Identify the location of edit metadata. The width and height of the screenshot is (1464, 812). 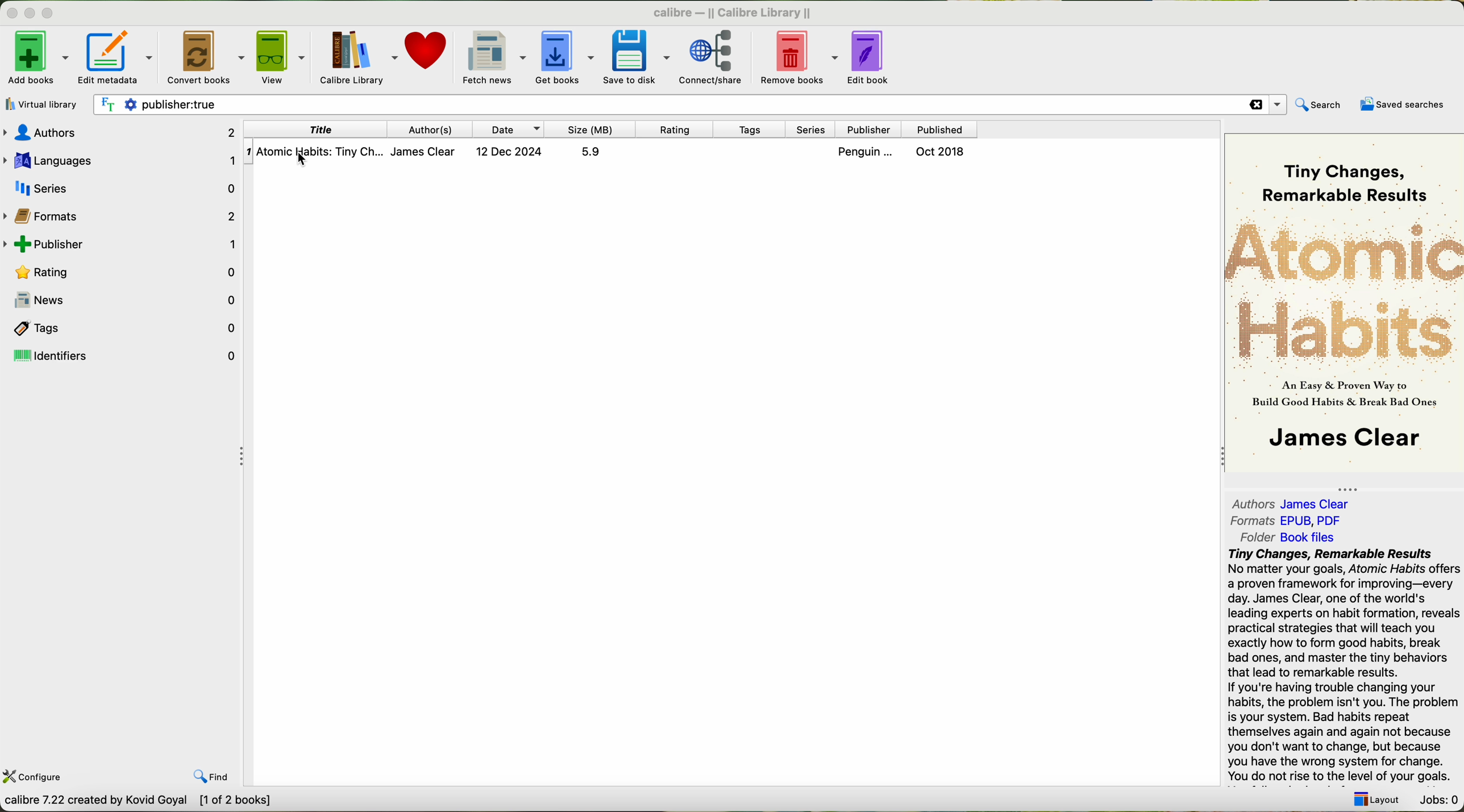
(115, 57).